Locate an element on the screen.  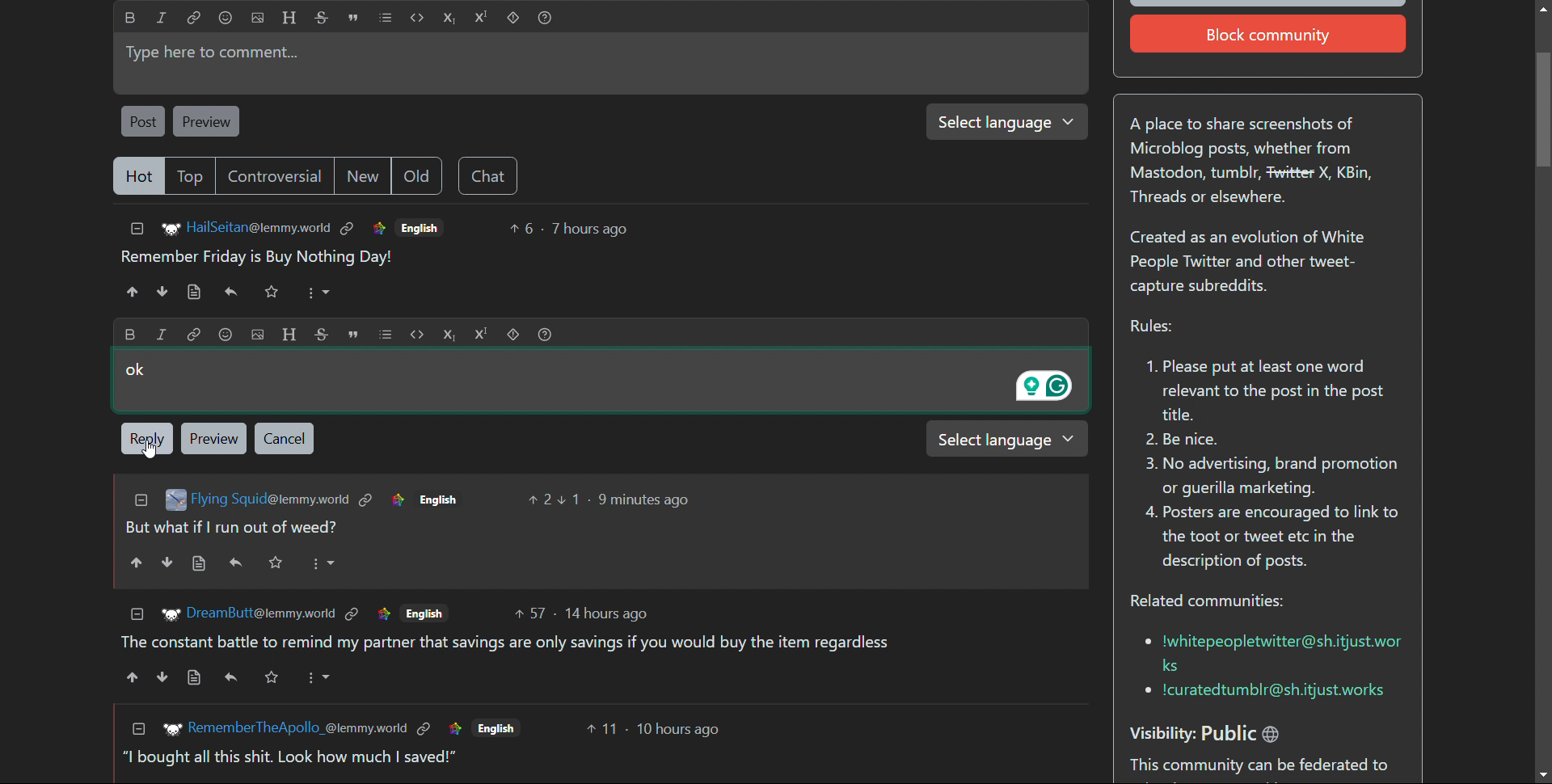
top is located at coordinates (192, 176).